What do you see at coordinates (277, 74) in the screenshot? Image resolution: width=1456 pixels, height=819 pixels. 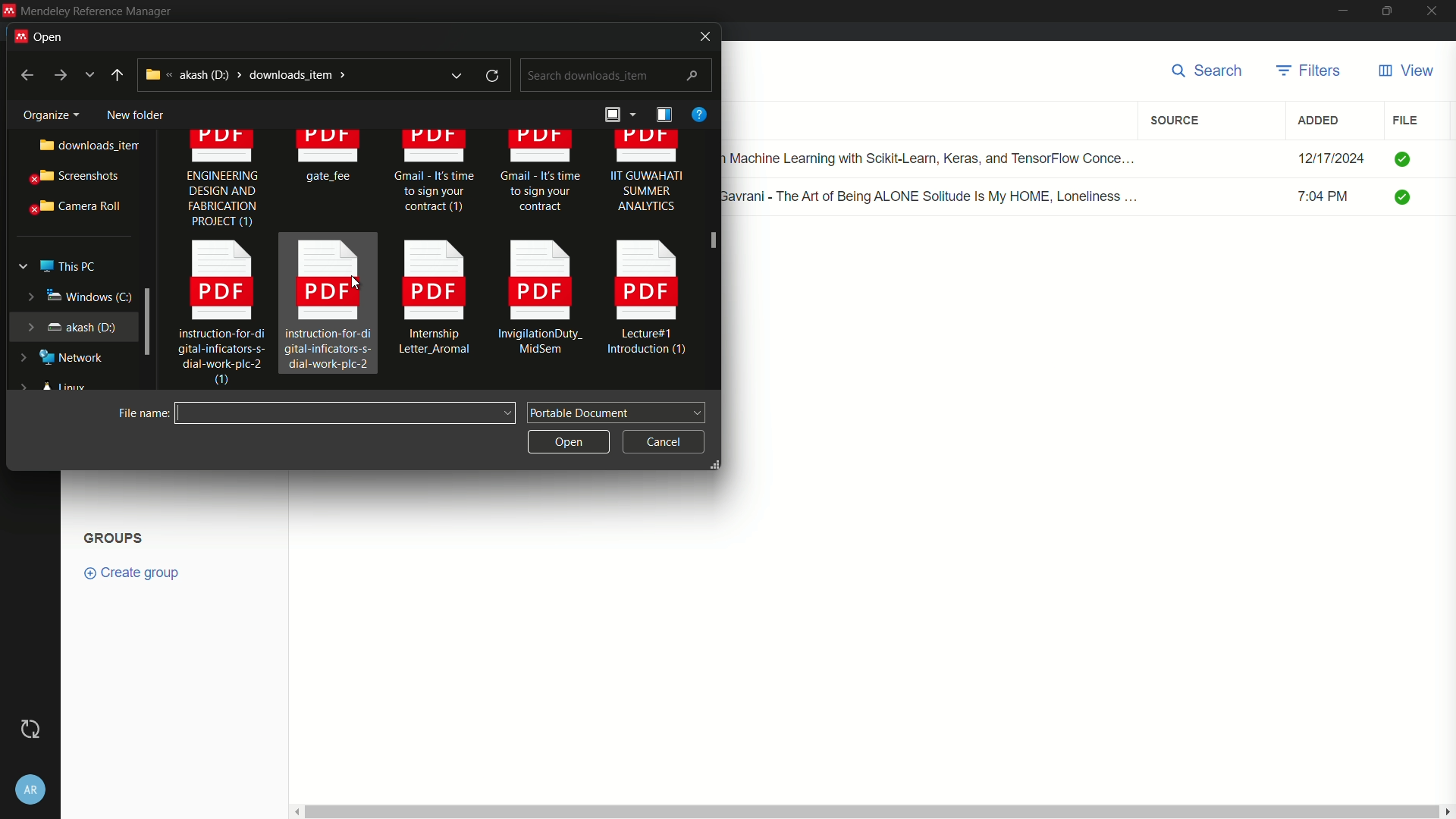 I see `akash (d:) > downloads_item` at bounding box center [277, 74].